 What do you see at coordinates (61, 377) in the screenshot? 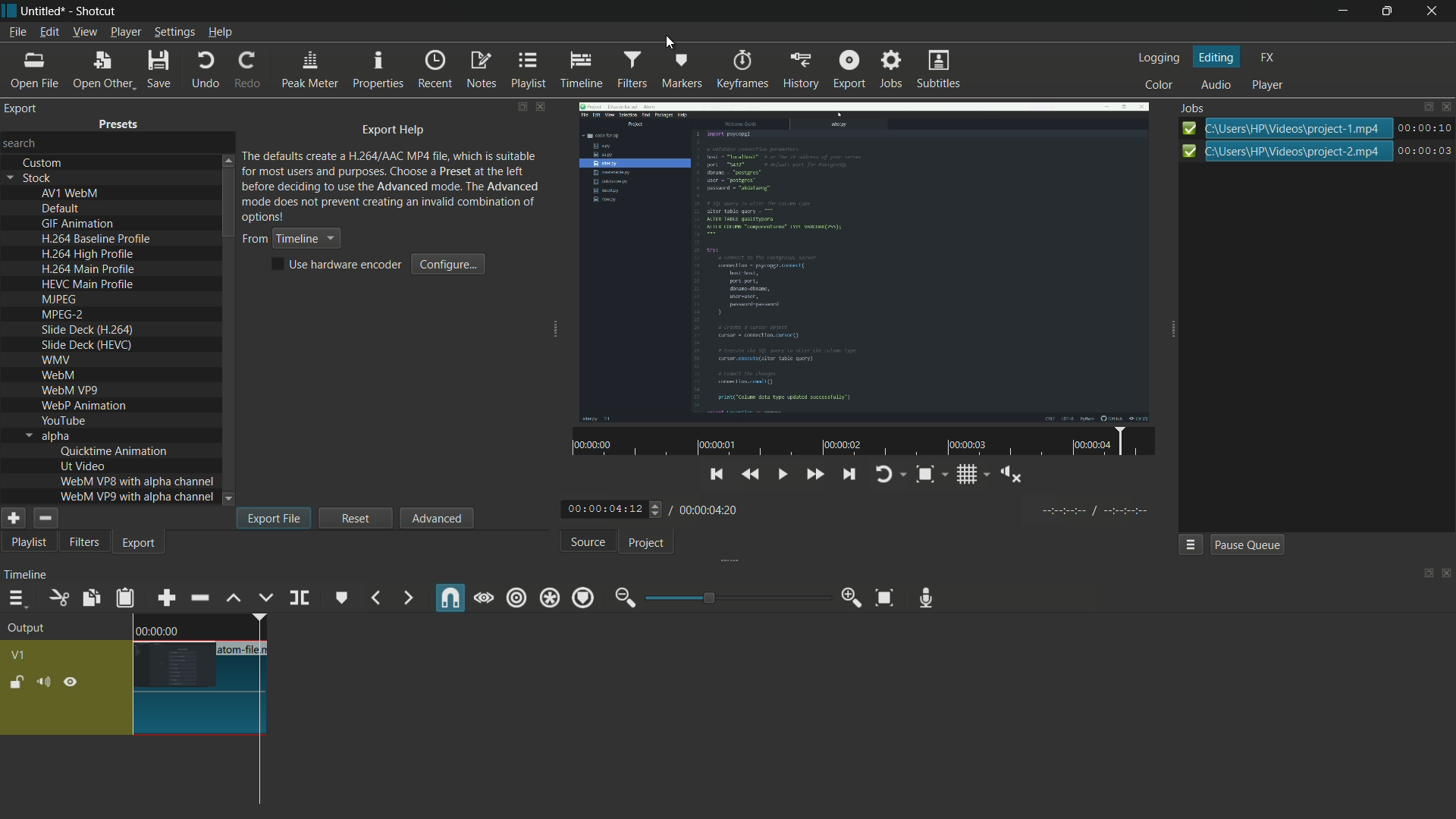
I see `webm` at bounding box center [61, 377].